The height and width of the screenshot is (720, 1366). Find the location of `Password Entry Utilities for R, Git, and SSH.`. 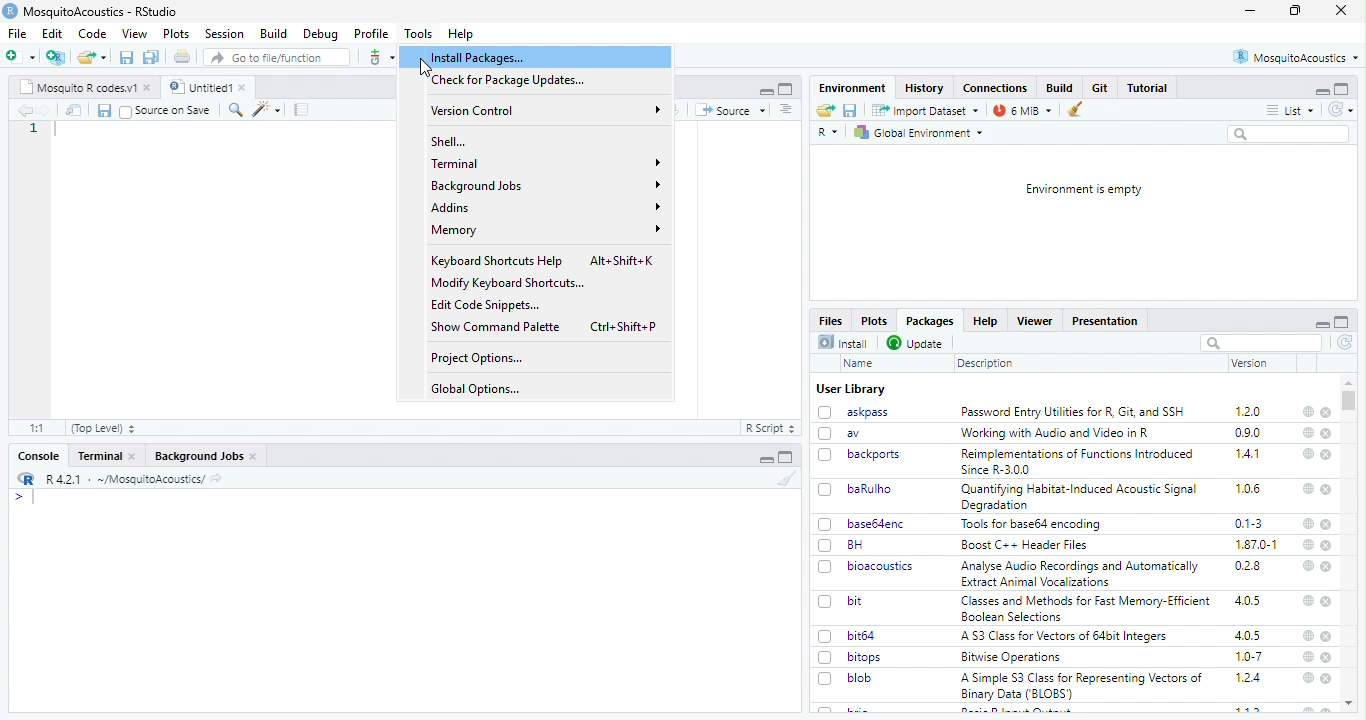

Password Entry Utilities for R, Git, and SSH. is located at coordinates (1075, 411).